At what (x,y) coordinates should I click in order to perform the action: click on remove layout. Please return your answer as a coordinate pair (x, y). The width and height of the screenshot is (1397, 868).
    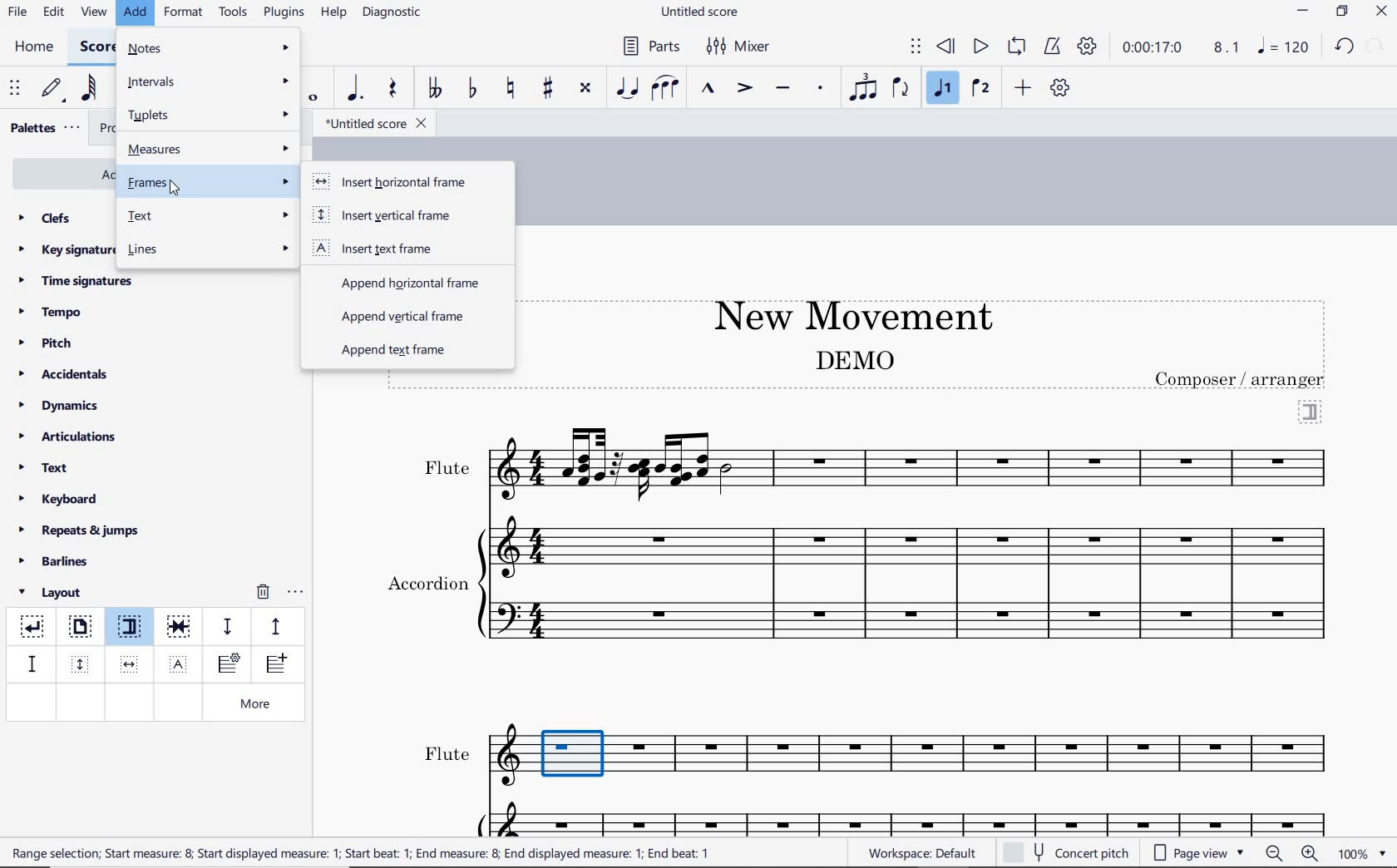
    Looking at the image, I should click on (263, 594).